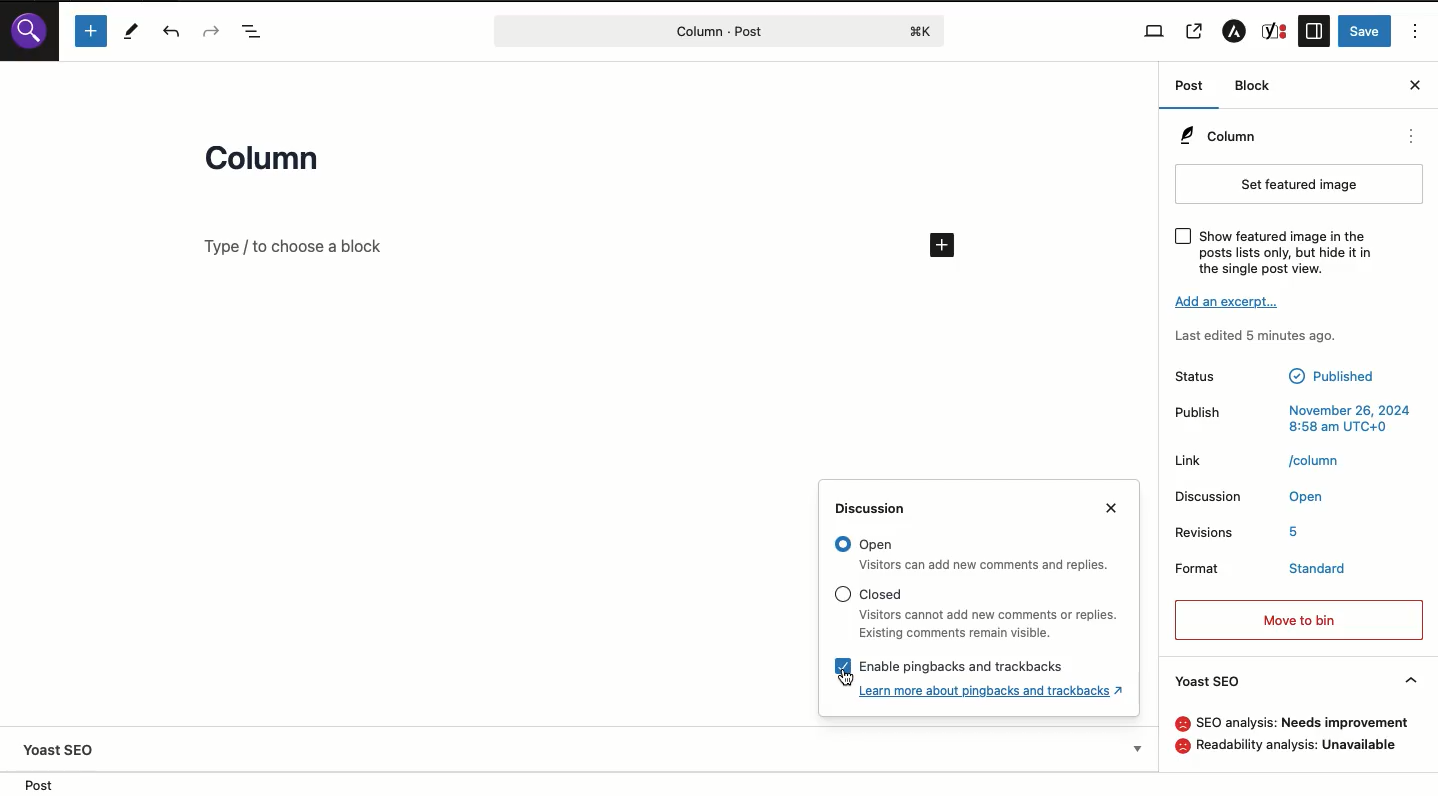  I want to click on Post, so click(1194, 87).